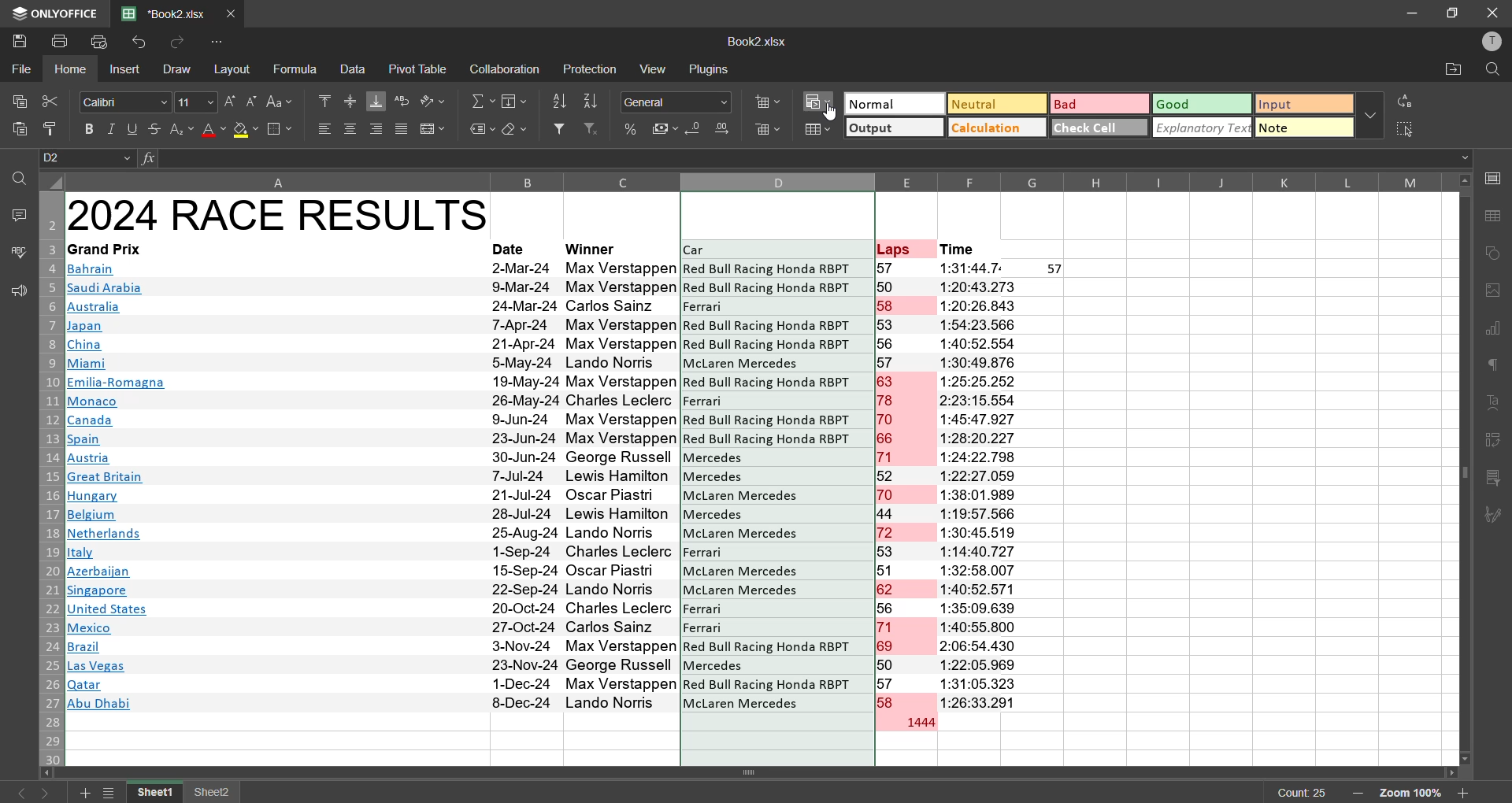 This screenshot has height=803, width=1512. Describe the element at coordinates (117, 489) in the screenshot. I see `Country` at that location.